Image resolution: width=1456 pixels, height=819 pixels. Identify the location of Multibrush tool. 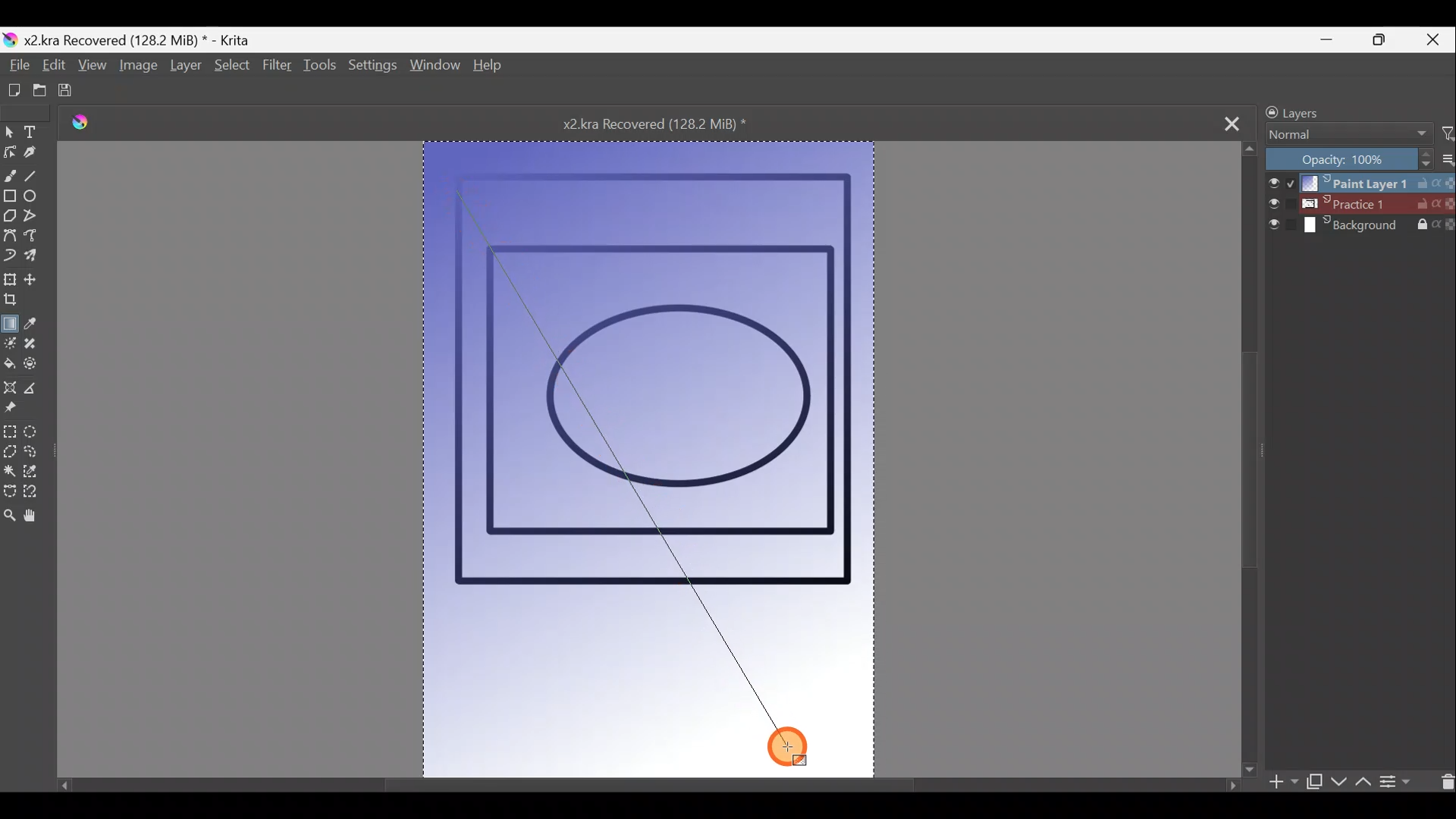
(36, 257).